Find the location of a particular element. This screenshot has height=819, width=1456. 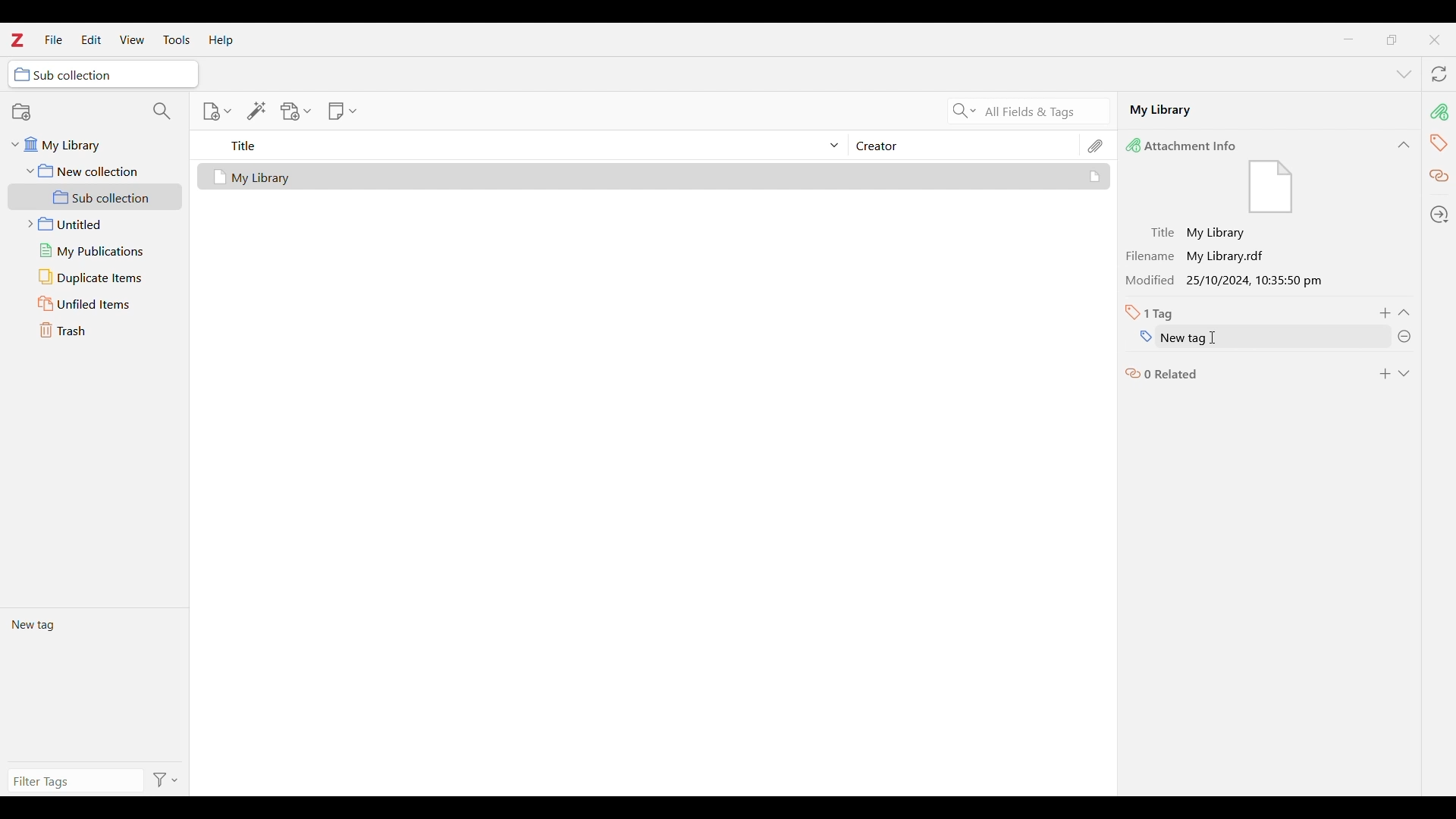

Trash folder is located at coordinates (95, 330).